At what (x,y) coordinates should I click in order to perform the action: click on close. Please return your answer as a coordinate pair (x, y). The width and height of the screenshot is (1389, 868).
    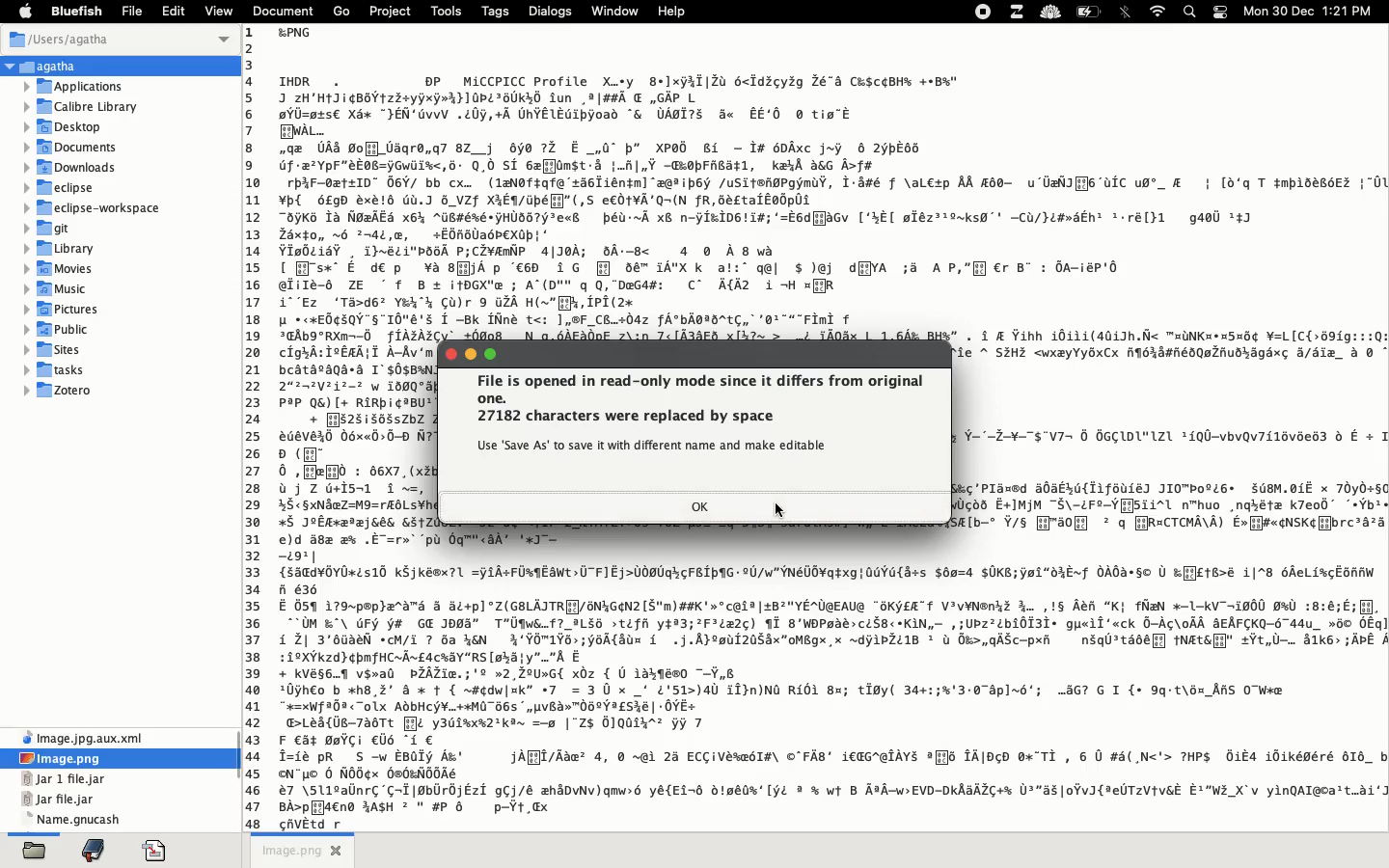
    Looking at the image, I should click on (333, 851).